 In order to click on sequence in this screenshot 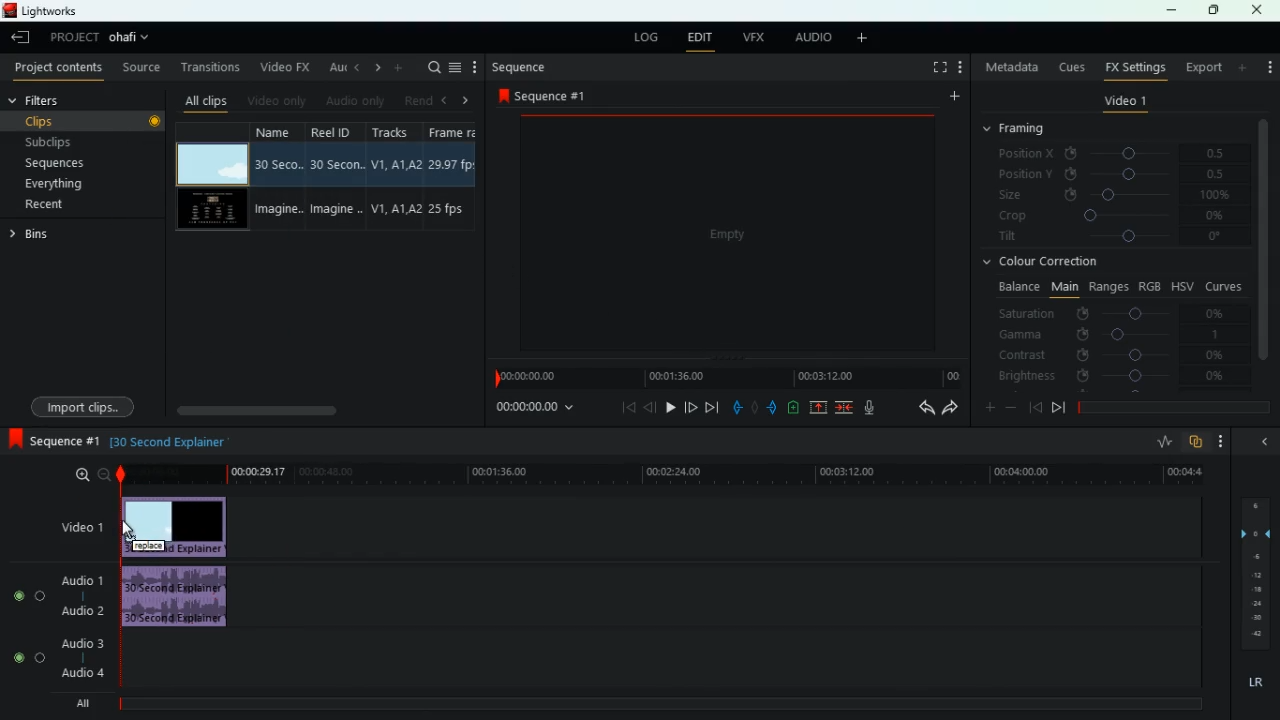, I will do `click(55, 442)`.